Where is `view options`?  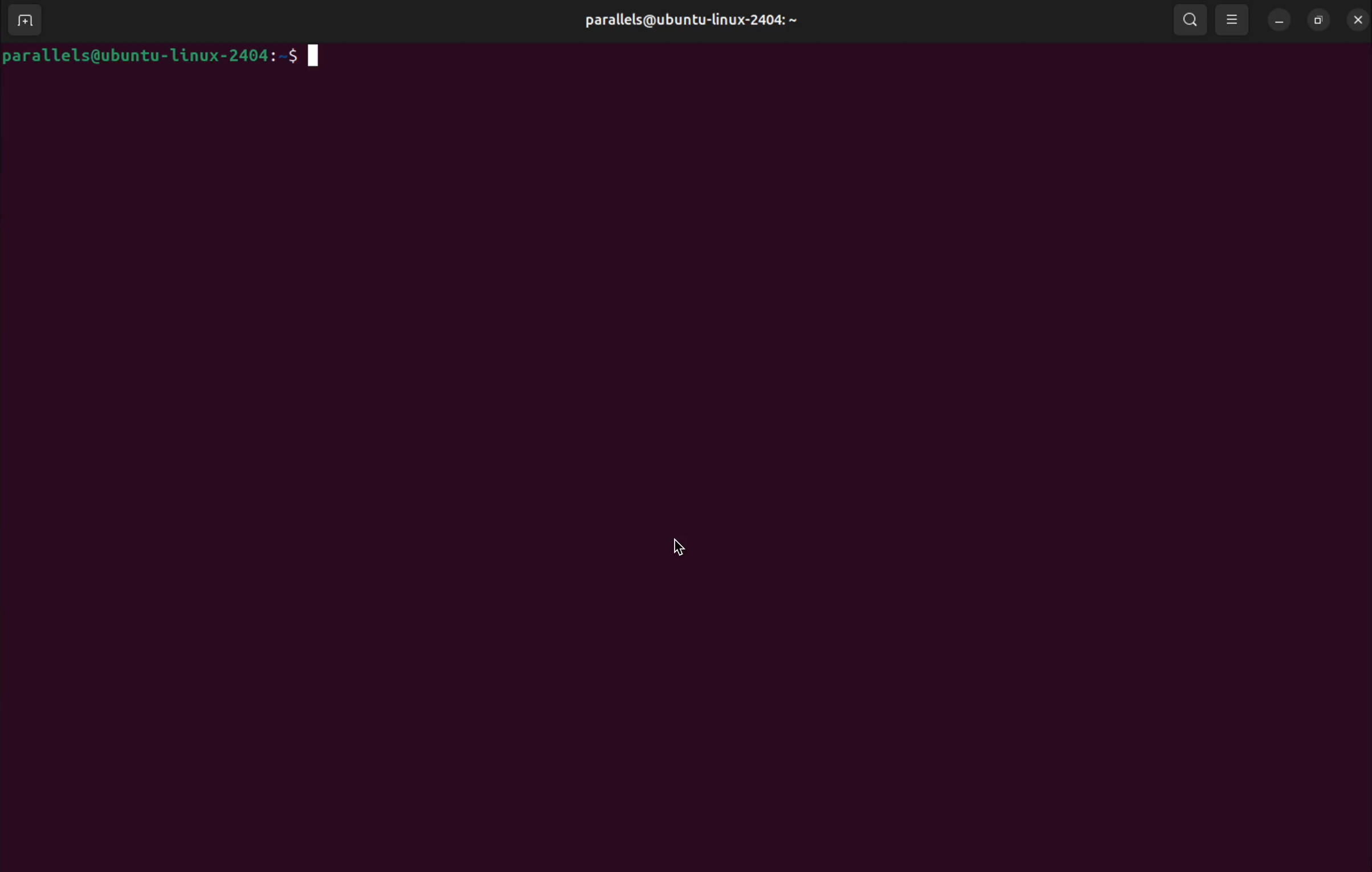
view options is located at coordinates (1234, 19).